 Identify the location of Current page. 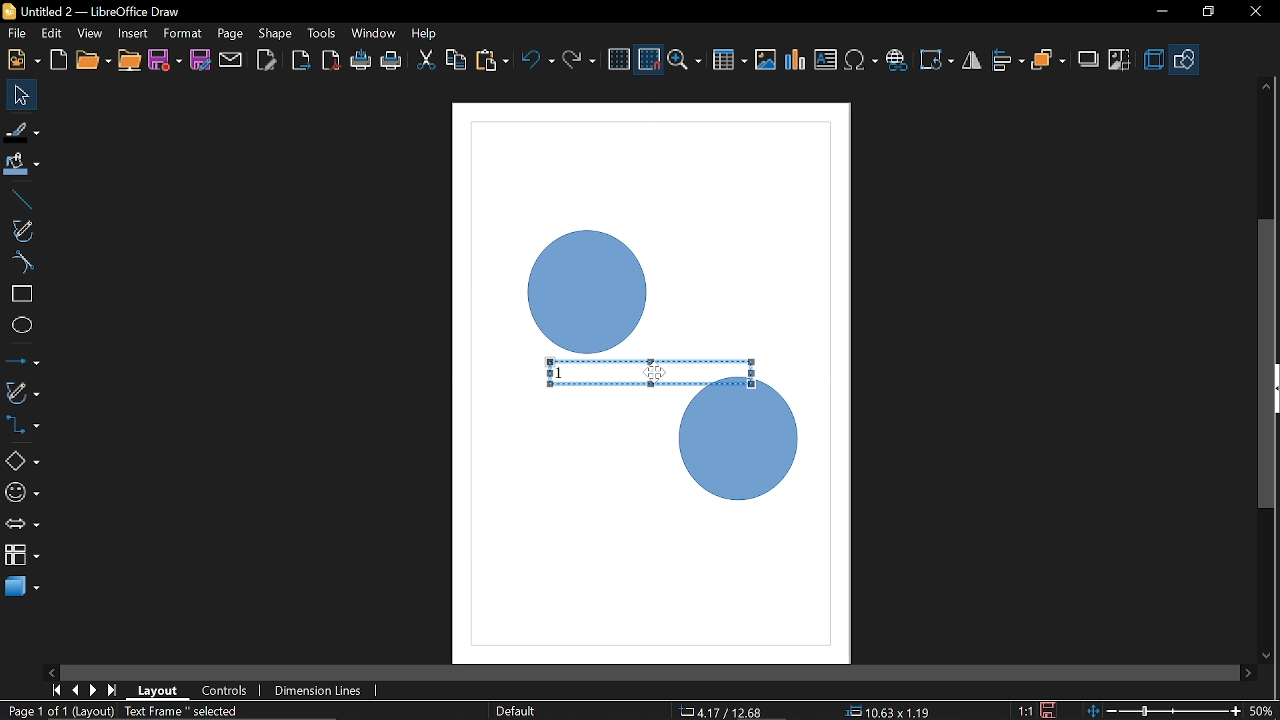
(127, 712).